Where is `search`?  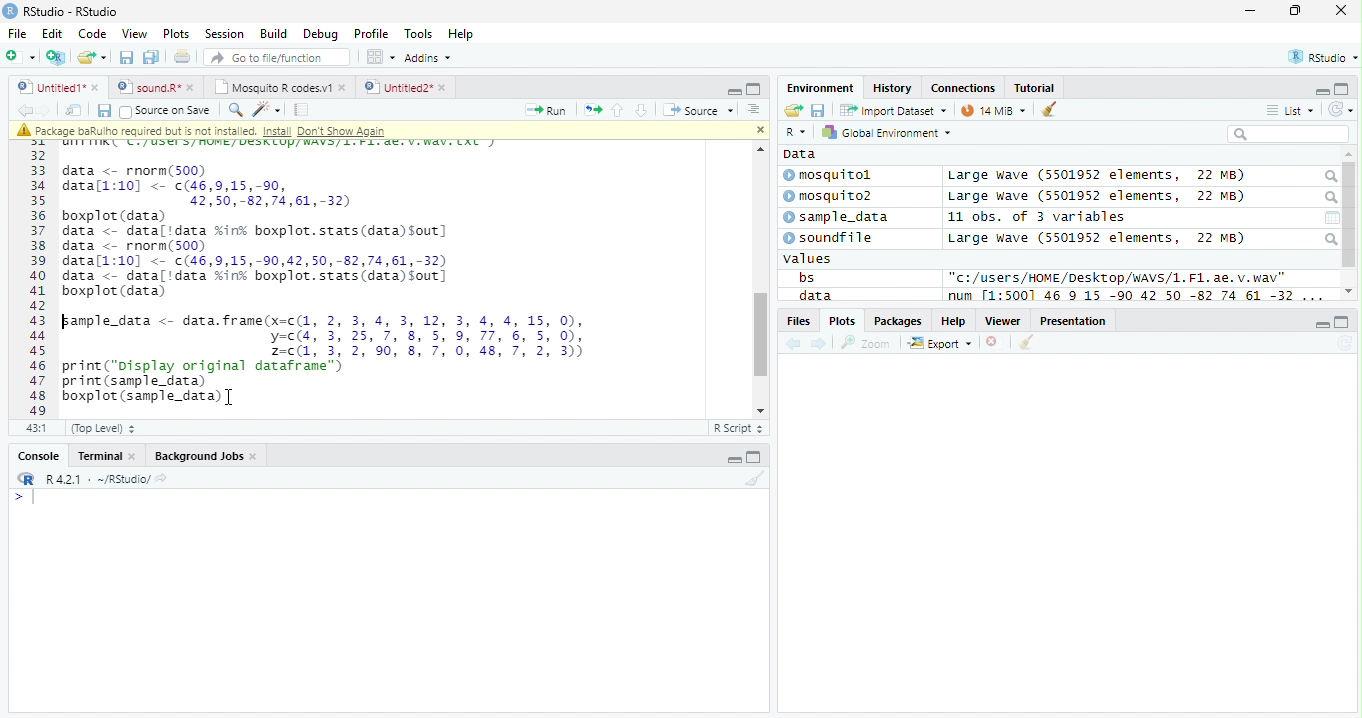
search is located at coordinates (1329, 198).